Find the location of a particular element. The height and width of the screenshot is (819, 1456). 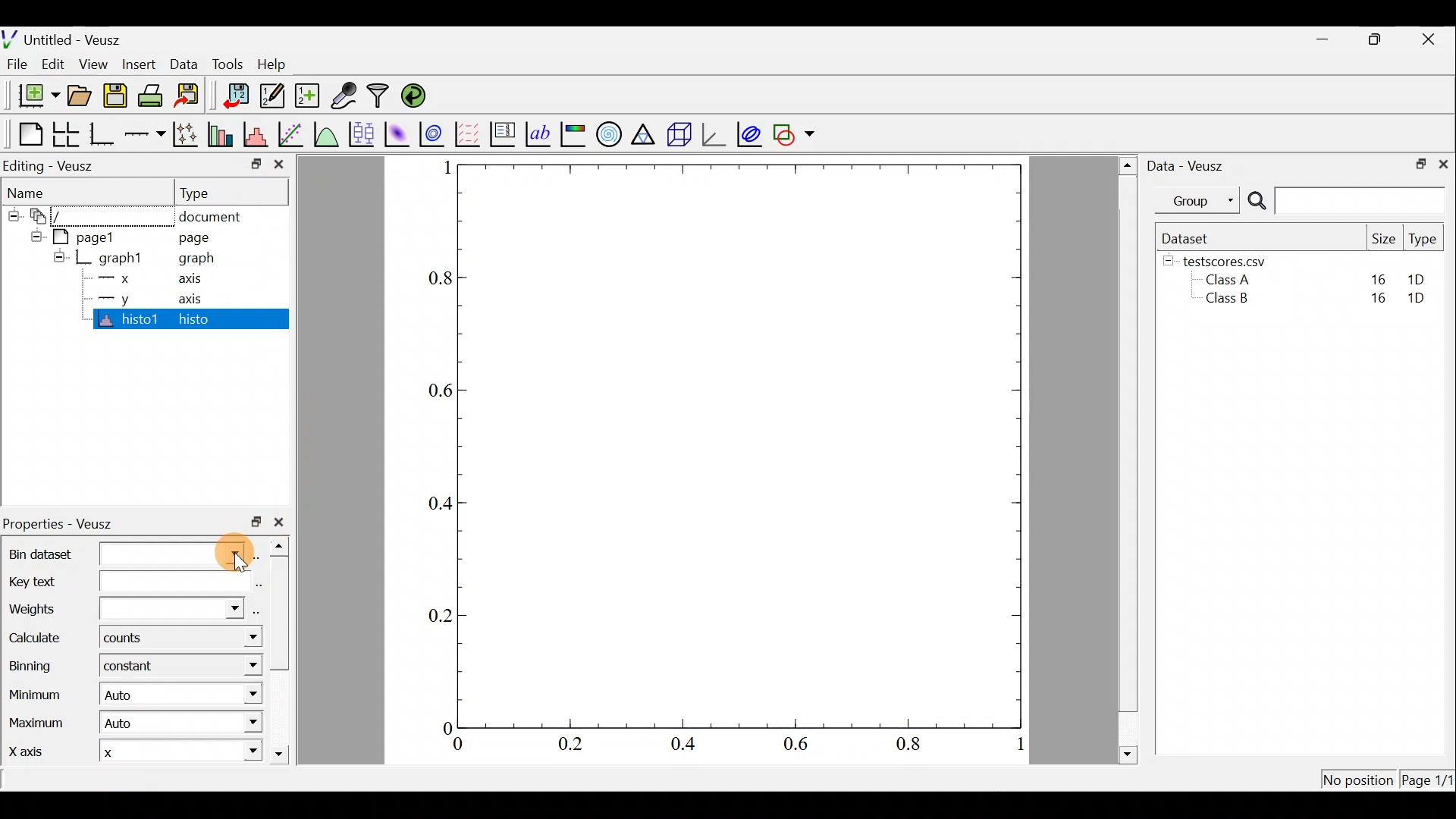

| Auto is located at coordinates (131, 697).